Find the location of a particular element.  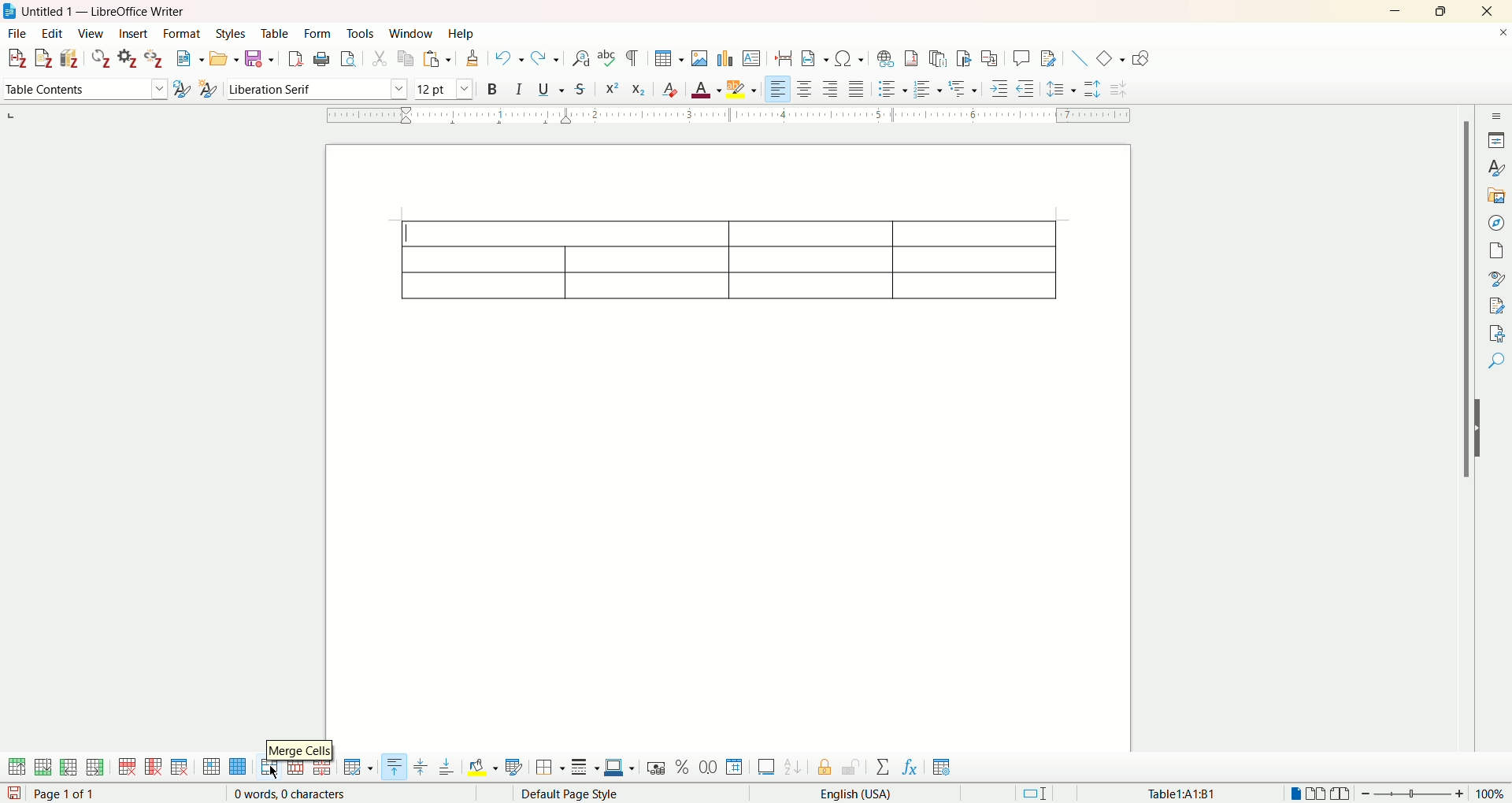

decrease indent is located at coordinates (1027, 91).